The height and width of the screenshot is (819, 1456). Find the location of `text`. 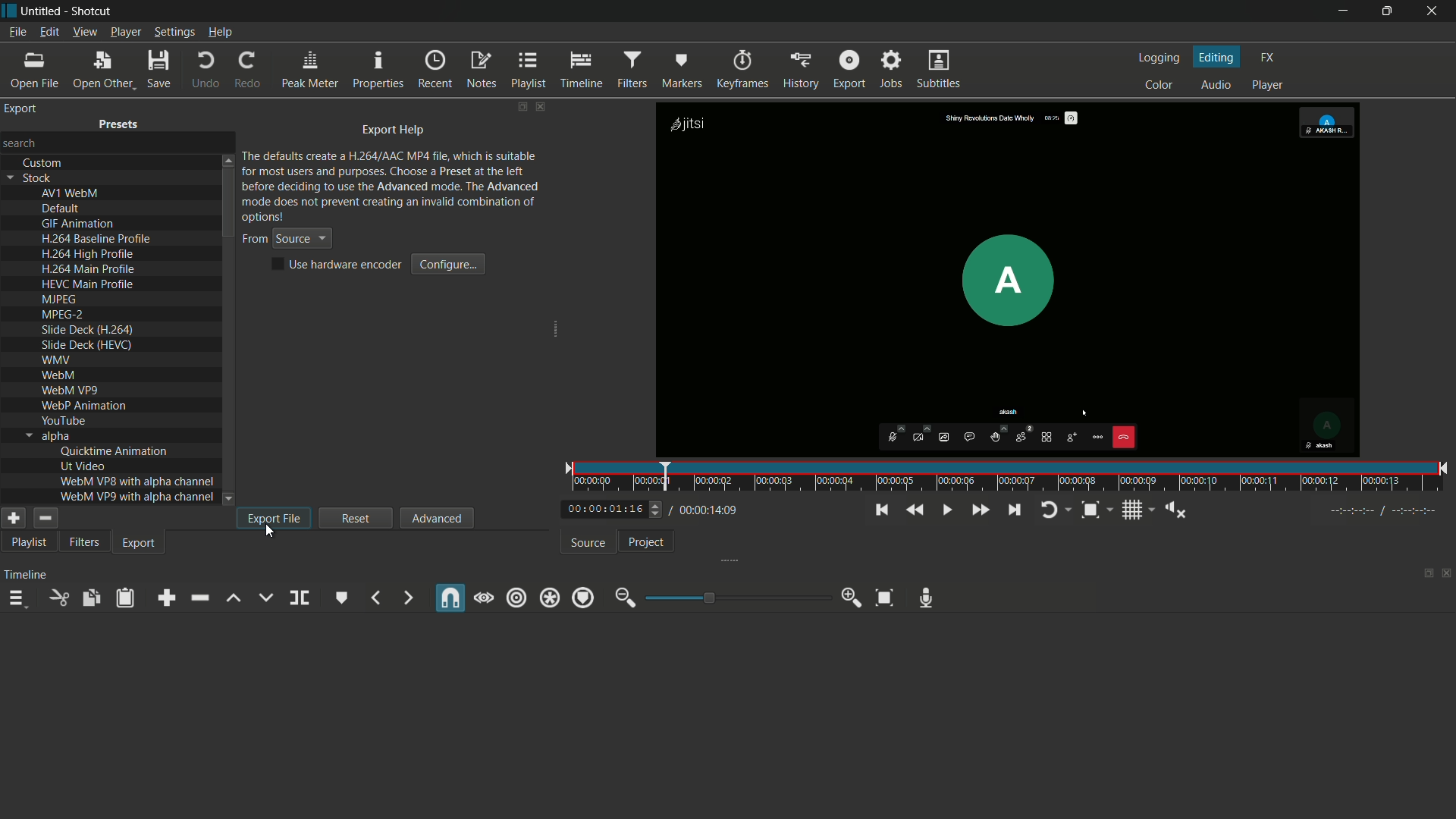

text is located at coordinates (63, 314).